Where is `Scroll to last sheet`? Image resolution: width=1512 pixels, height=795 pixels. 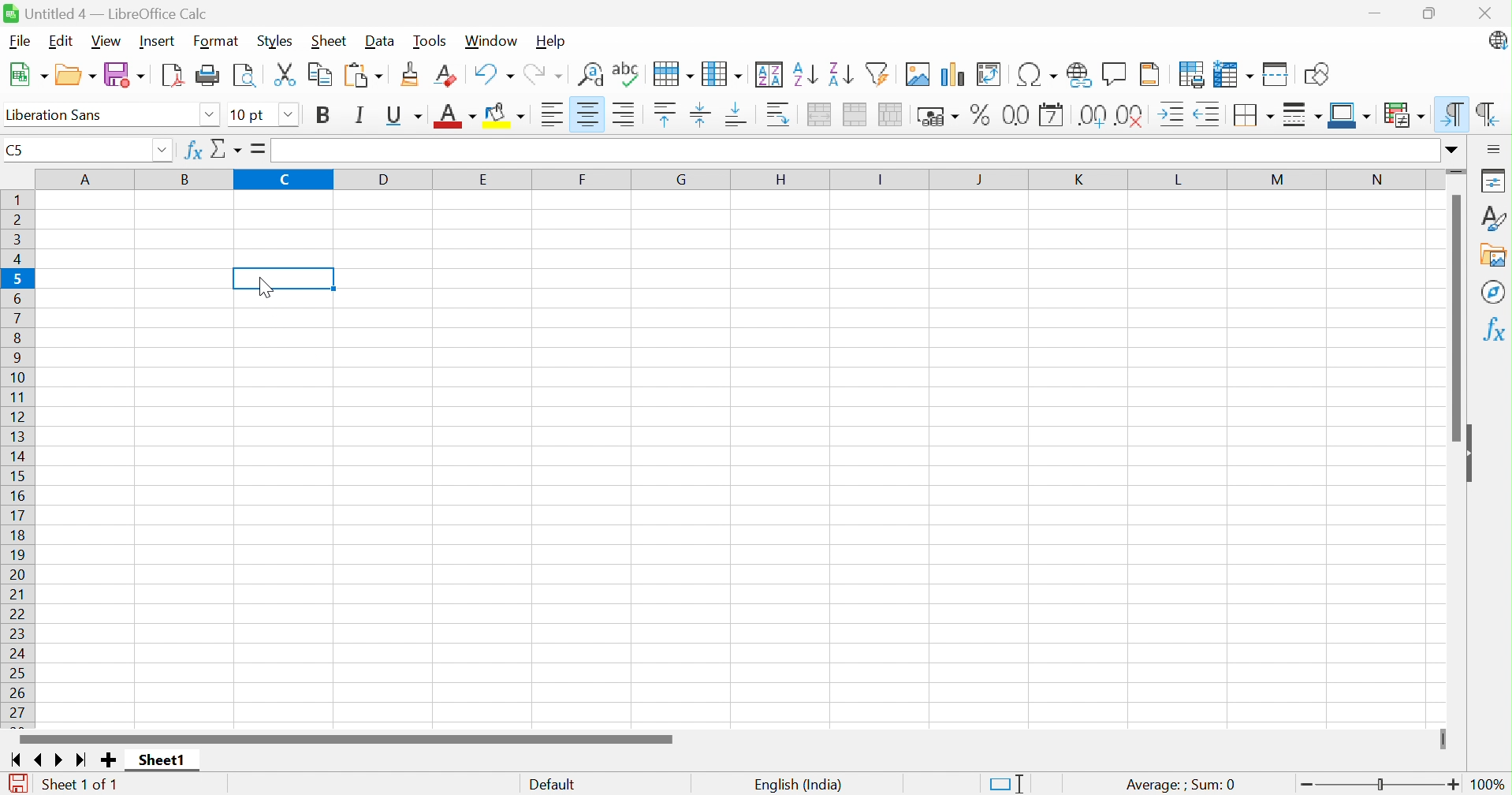
Scroll to last sheet is located at coordinates (84, 762).